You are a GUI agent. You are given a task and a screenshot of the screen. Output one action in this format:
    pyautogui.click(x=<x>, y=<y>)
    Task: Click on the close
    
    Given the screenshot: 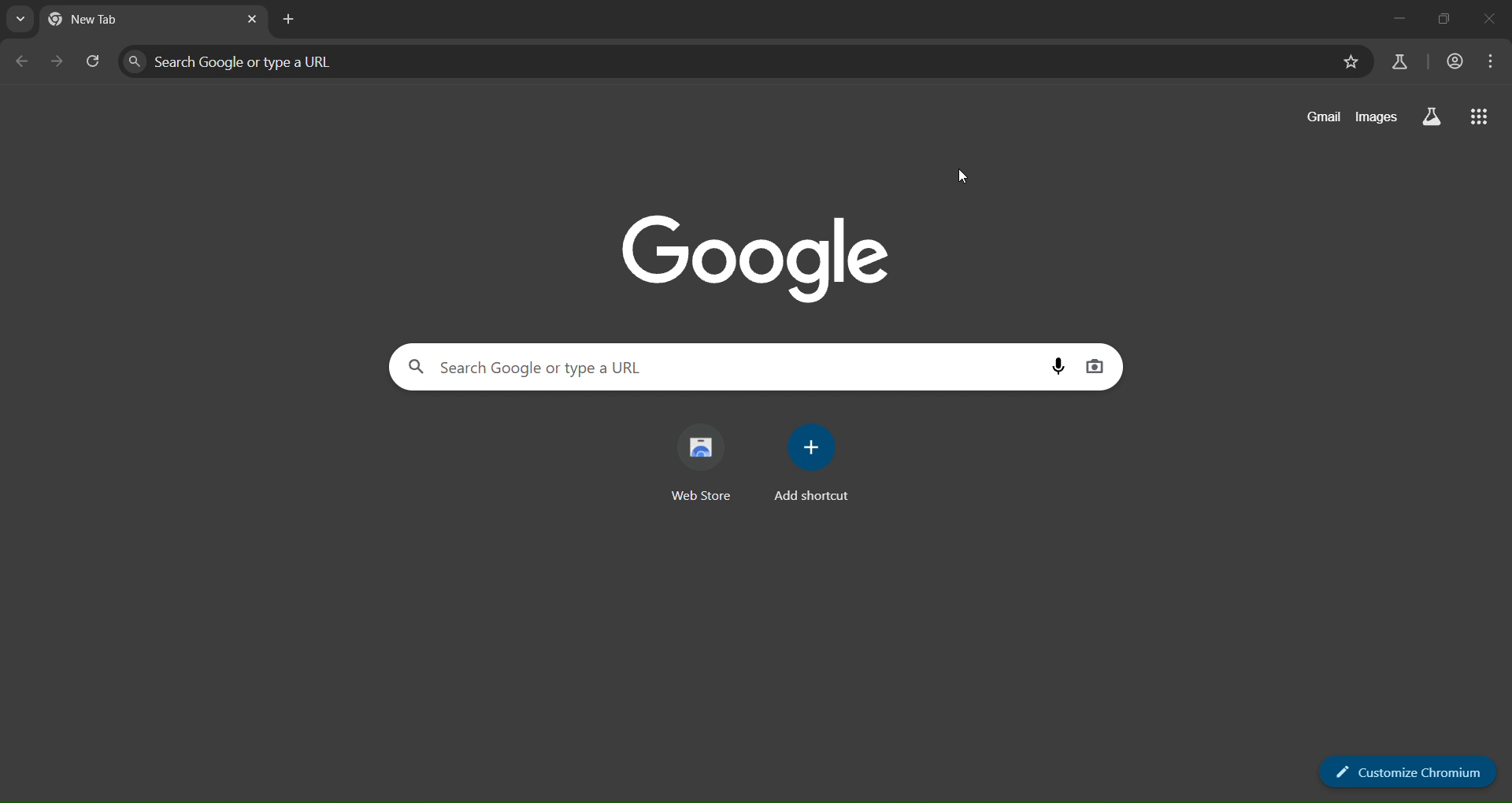 What is the action you would take?
    pyautogui.click(x=1493, y=18)
    